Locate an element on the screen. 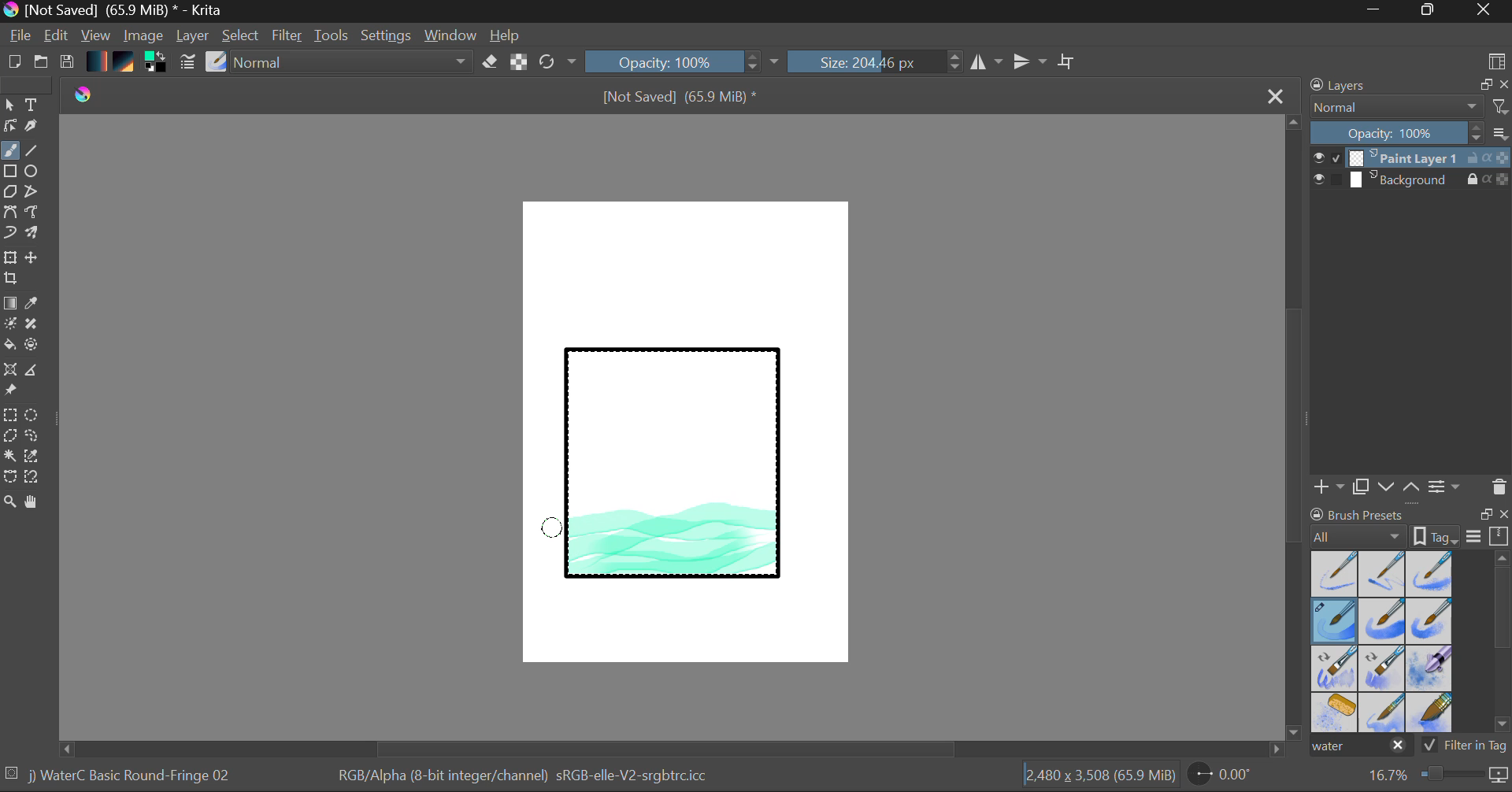  Zoom is located at coordinates (1436, 775).